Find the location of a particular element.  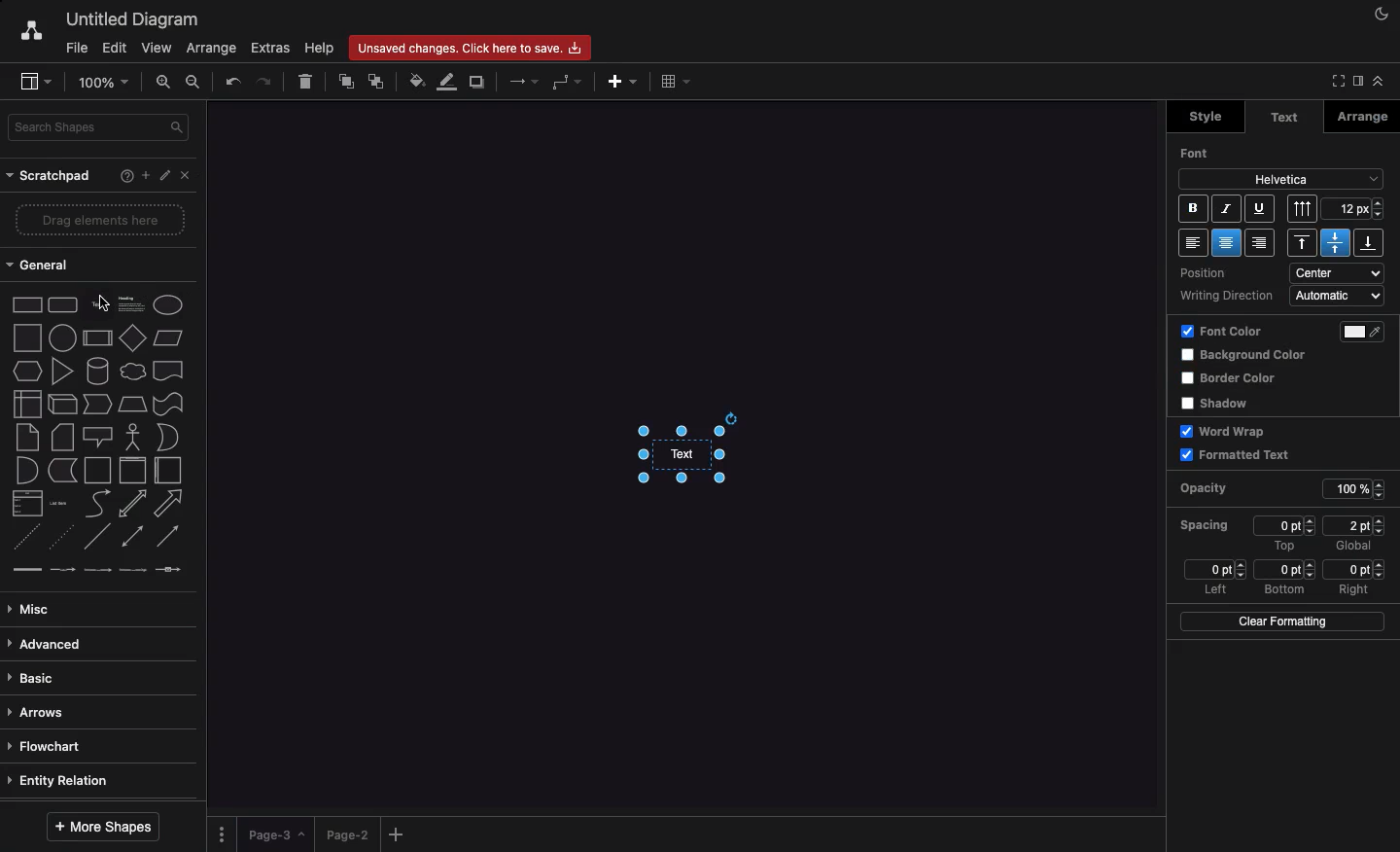

triangle is located at coordinates (63, 371).